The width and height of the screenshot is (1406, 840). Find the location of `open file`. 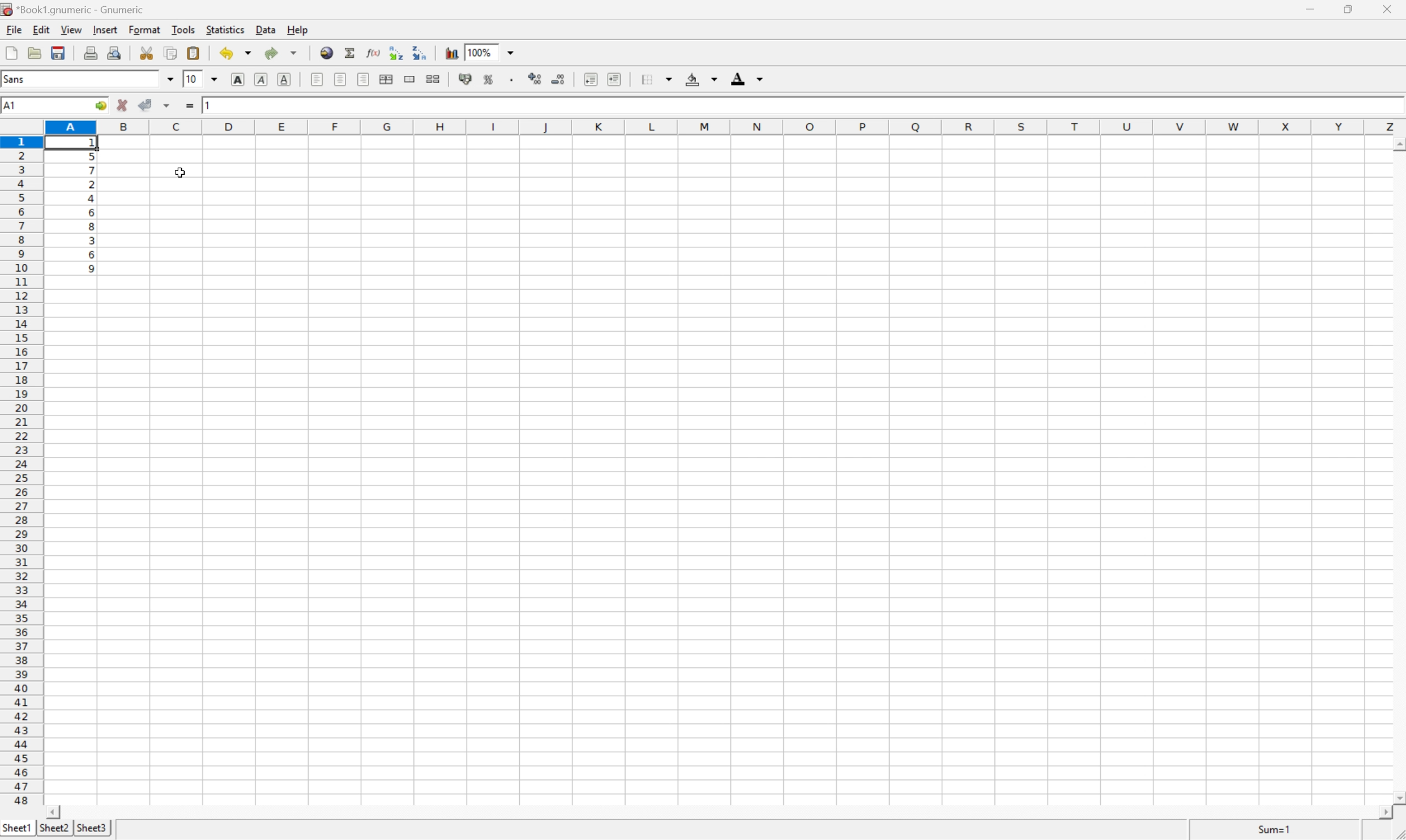

open file is located at coordinates (35, 54).